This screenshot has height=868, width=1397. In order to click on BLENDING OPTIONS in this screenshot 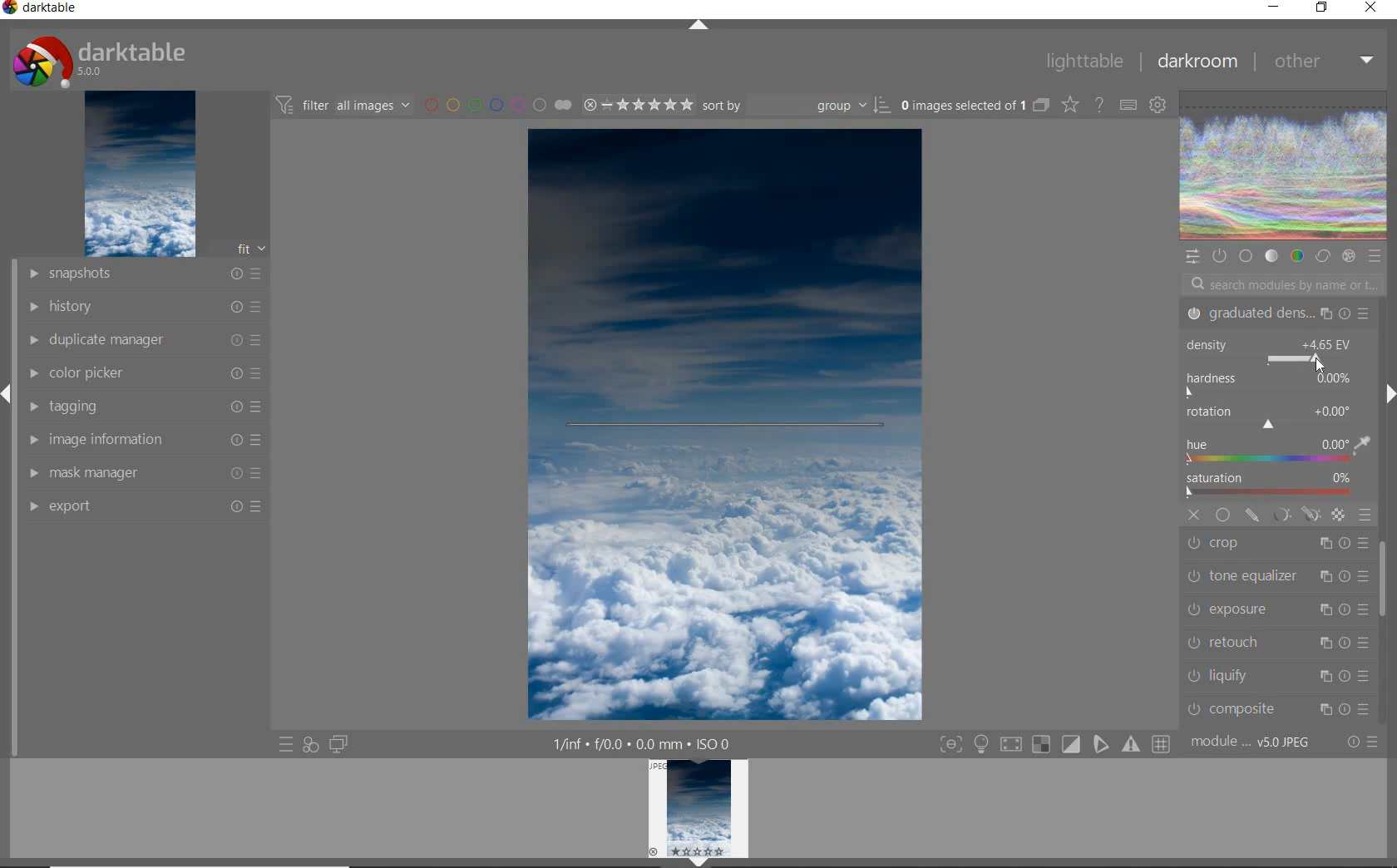, I will do `click(1365, 515)`.